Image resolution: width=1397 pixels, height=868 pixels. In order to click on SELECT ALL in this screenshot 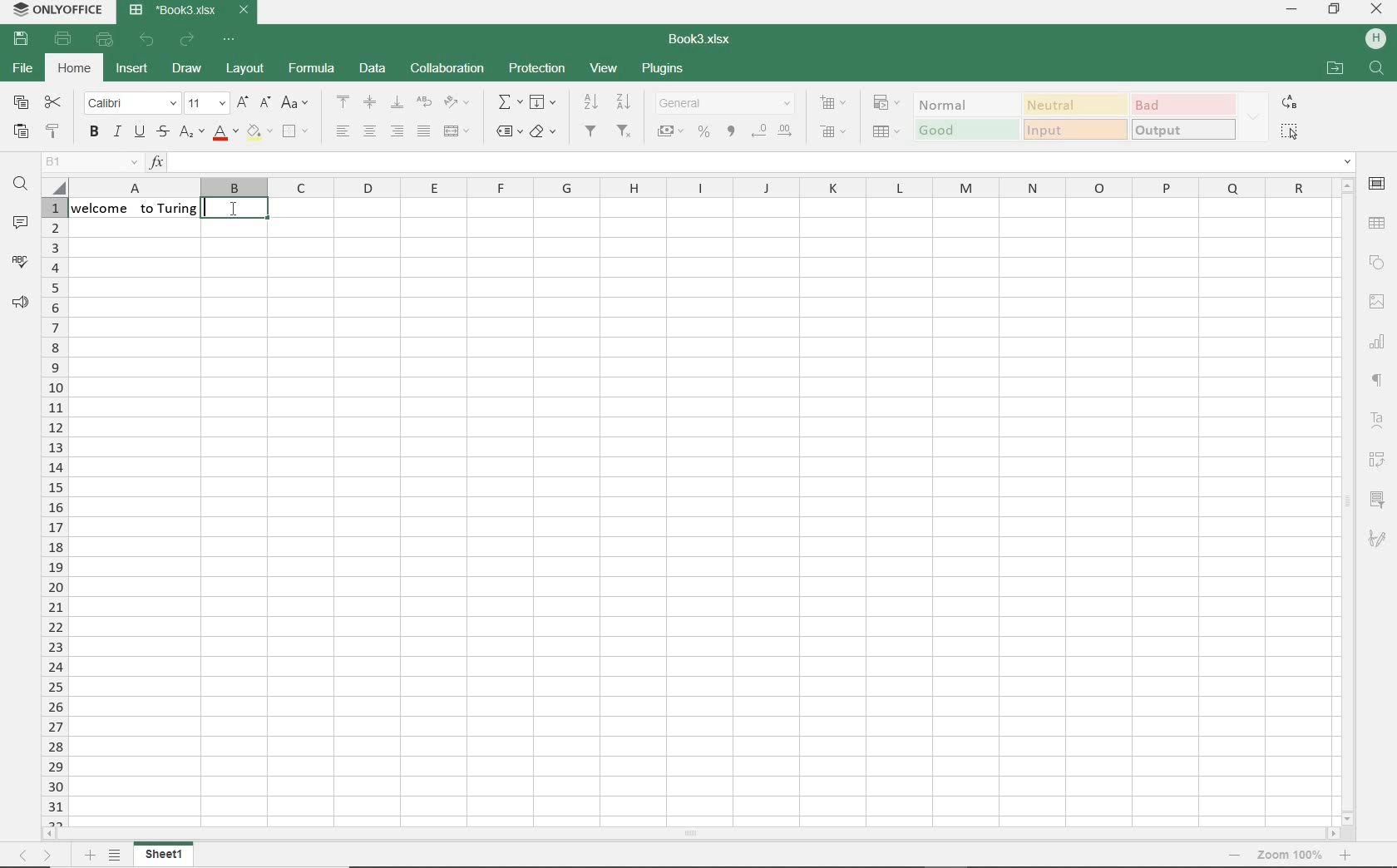, I will do `click(1290, 132)`.